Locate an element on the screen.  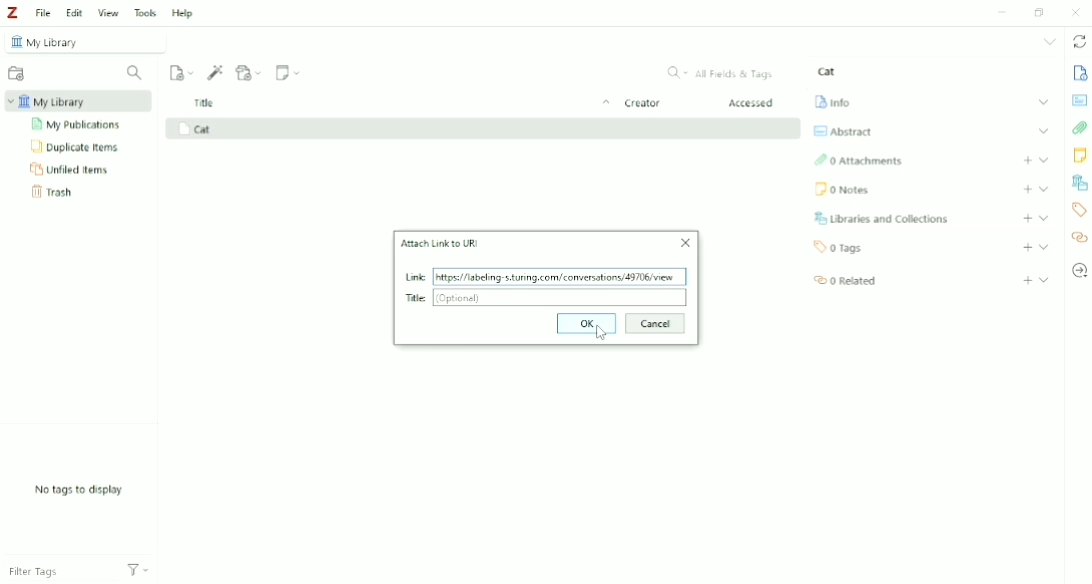
My Library is located at coordinates (87, 41).